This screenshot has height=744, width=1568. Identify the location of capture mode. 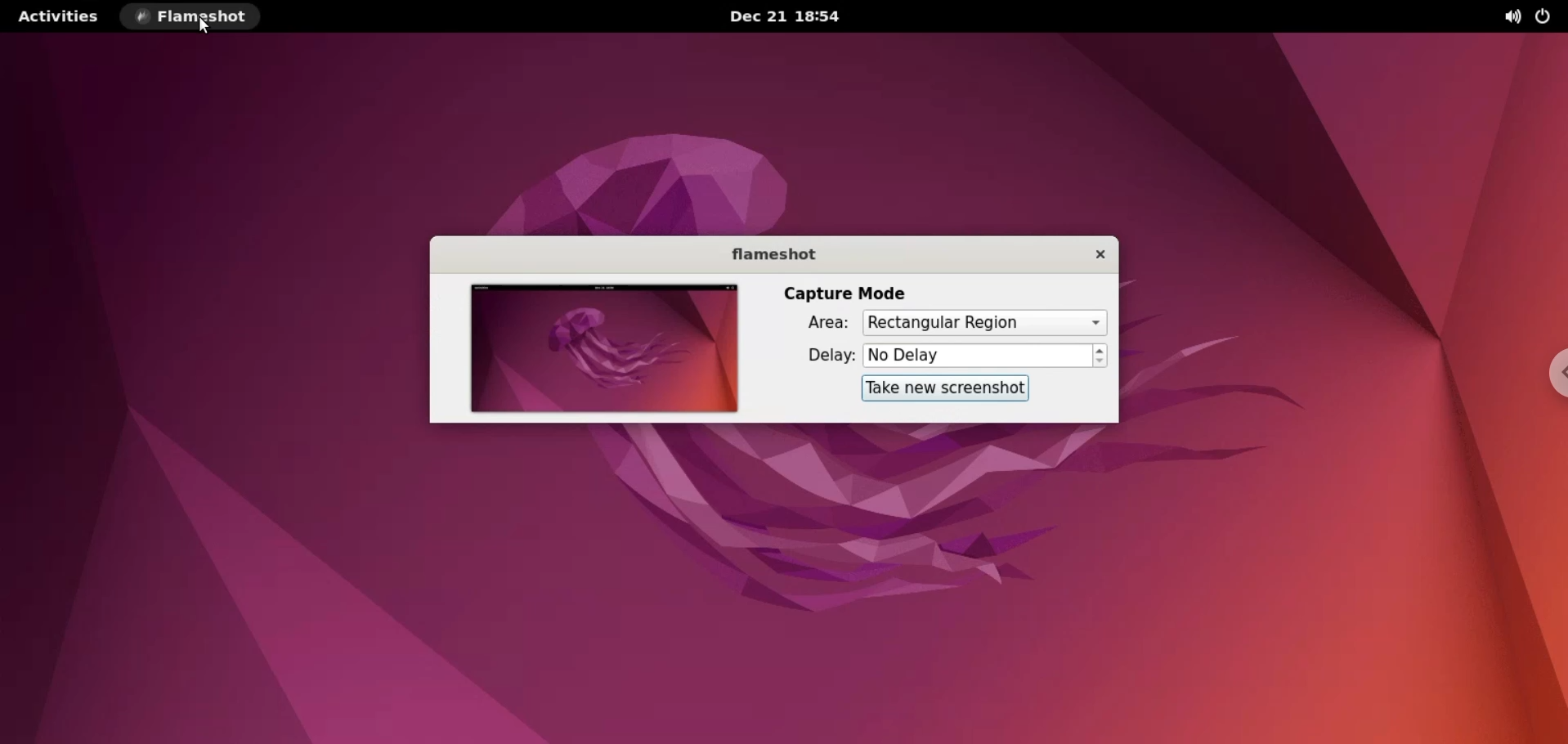
(847, 292).